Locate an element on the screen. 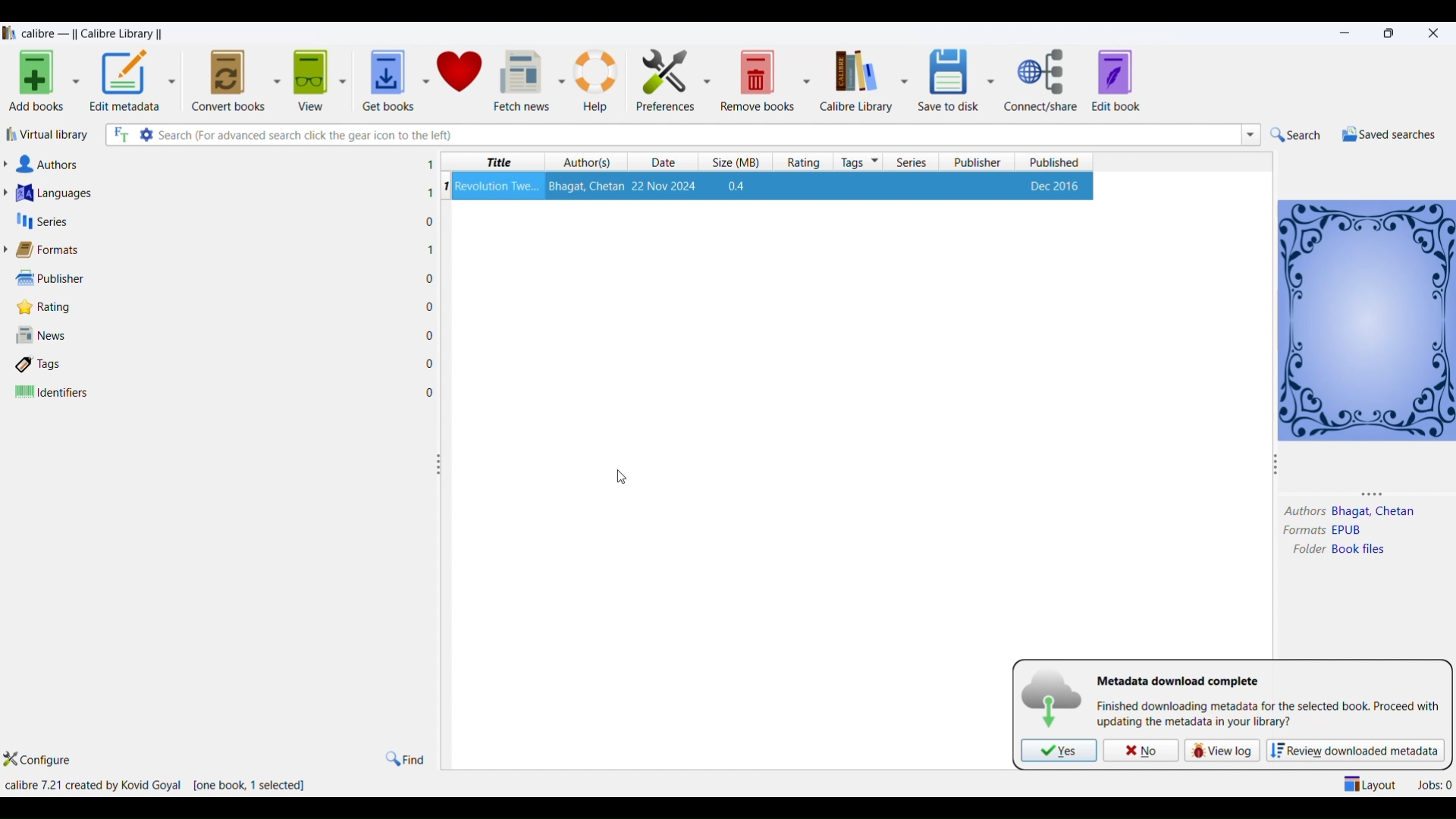 This screenshot has width=1456, height=819. EDIT BOOKS is located at coordinates (1131, 82).